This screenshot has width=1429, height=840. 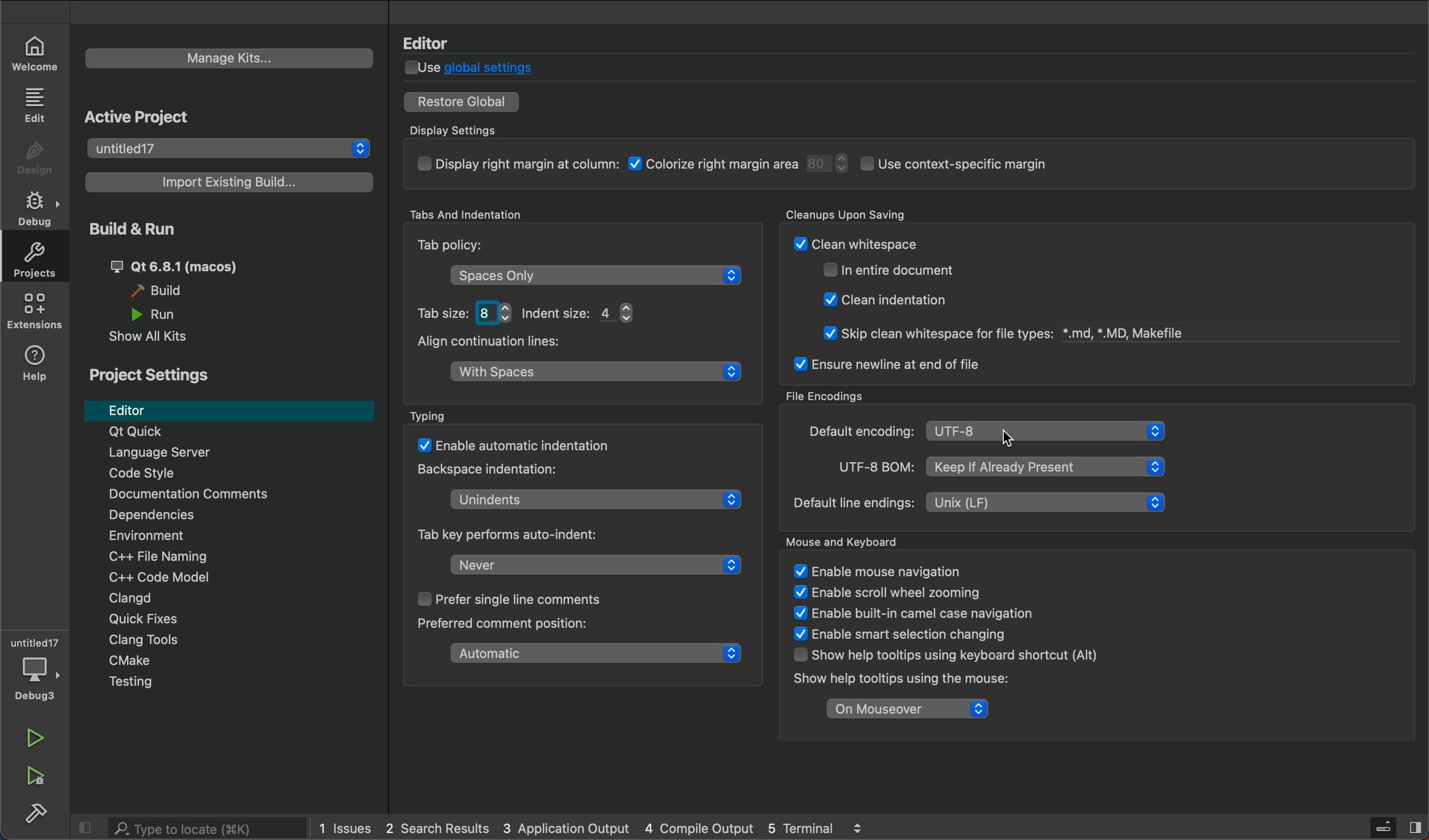 I want to click on manage kits, so click(x=232, y=57).